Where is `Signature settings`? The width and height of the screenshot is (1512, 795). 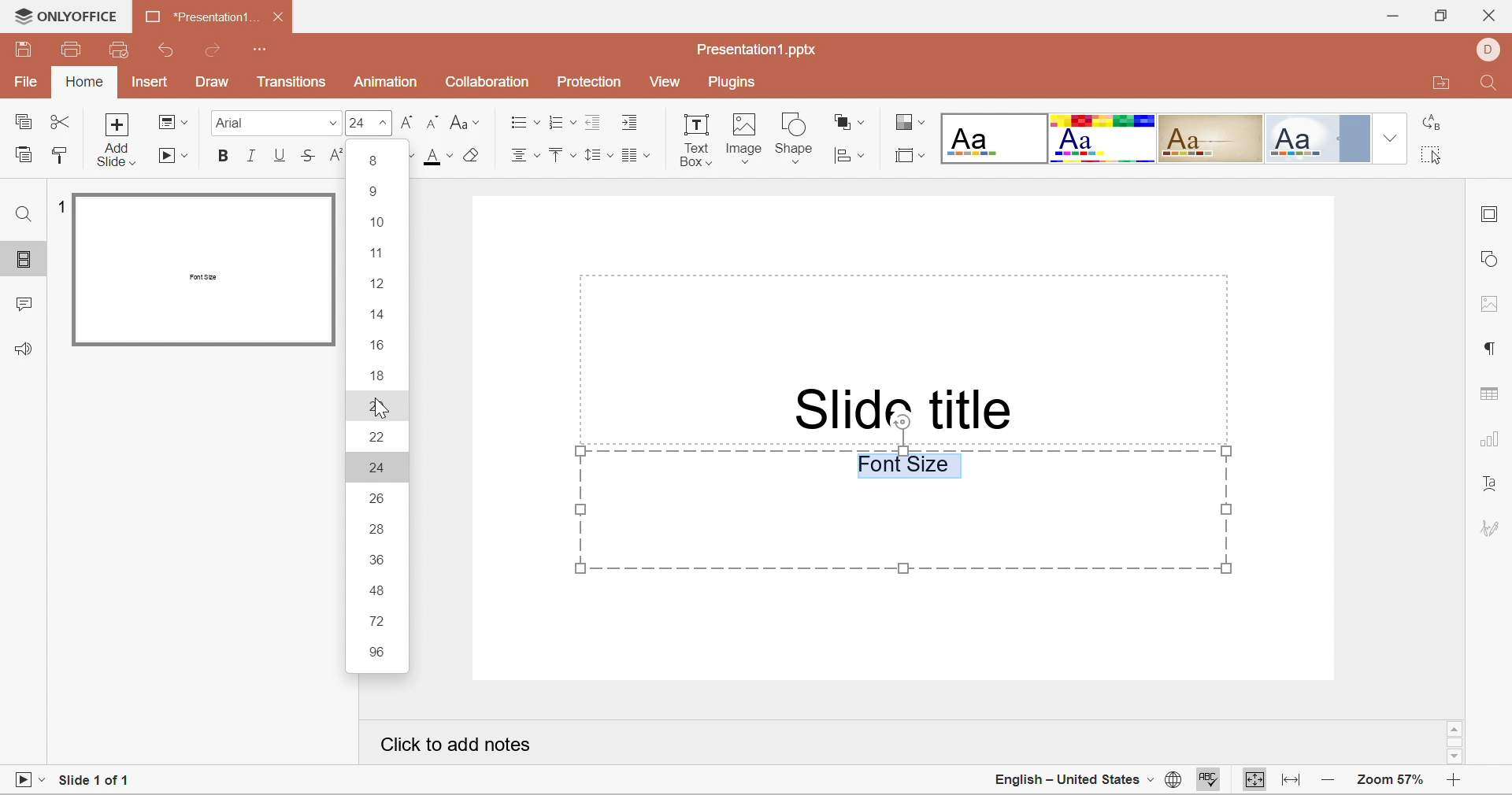 Signature settings is located at coordinates (1489, 530).